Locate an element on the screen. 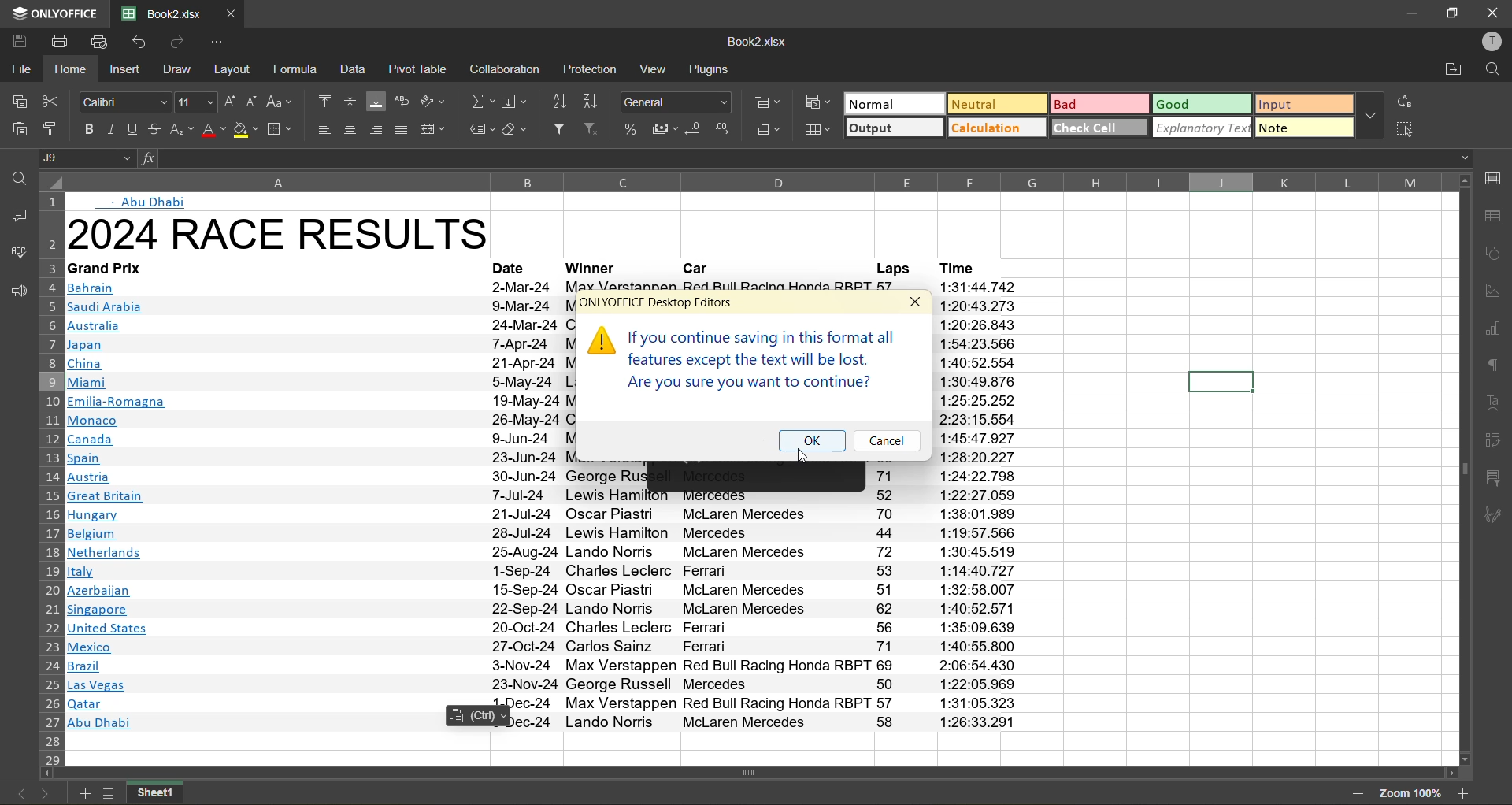 Image resolution: width=1512 pixels, height=805 pixels. heading is located at coordinates (302, 233).